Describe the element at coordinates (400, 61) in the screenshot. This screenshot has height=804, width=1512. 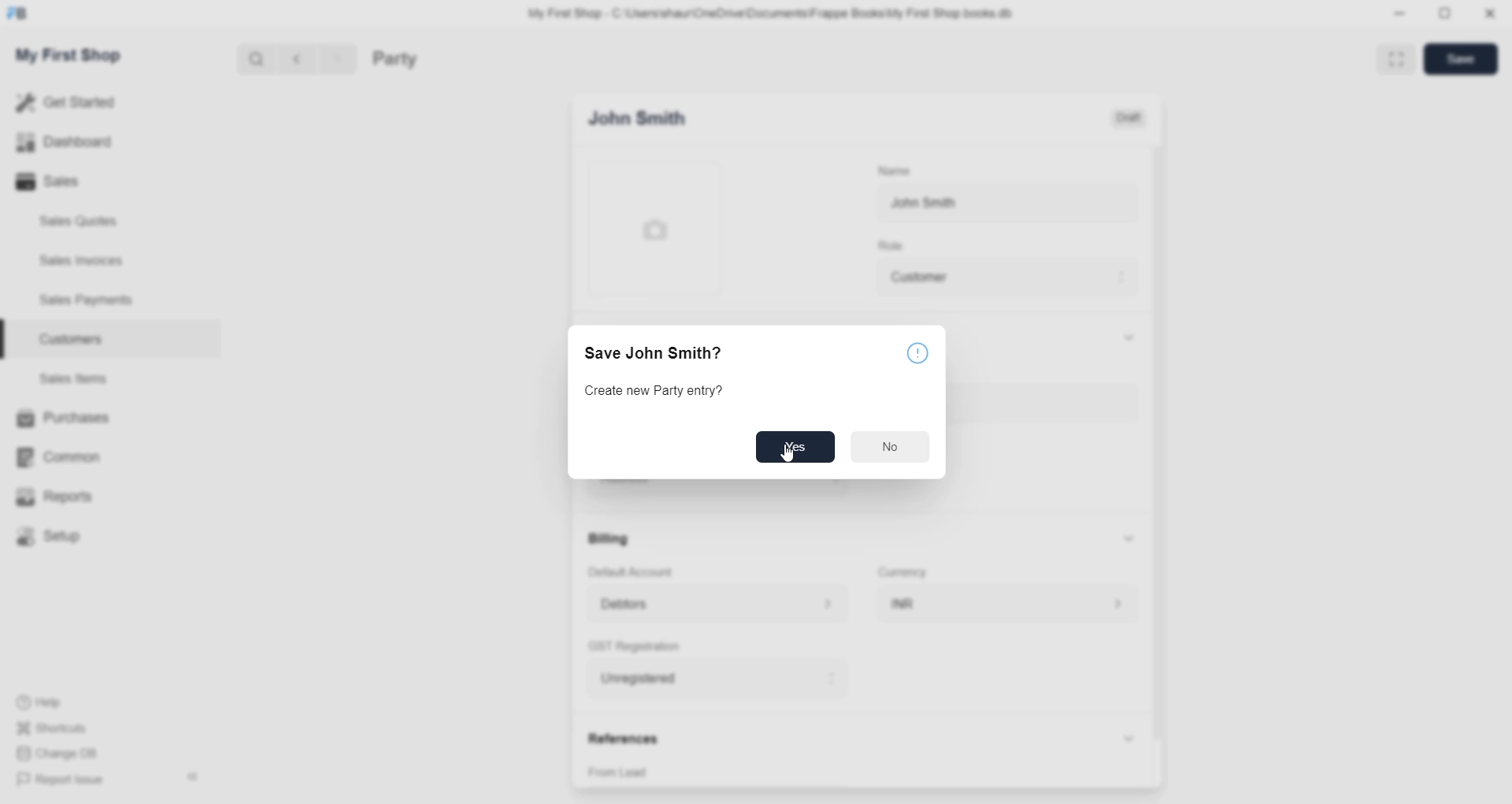
I see `Party` at that location.